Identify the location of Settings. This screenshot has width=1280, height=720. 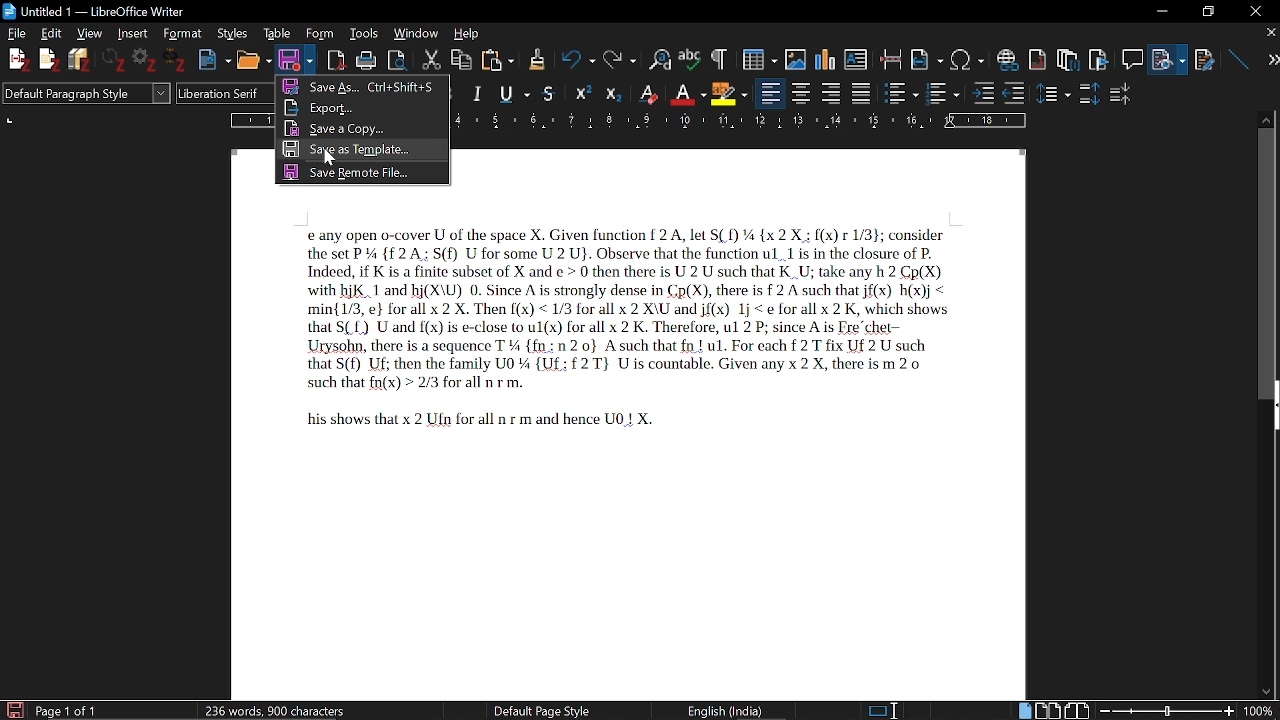
(147, 62).